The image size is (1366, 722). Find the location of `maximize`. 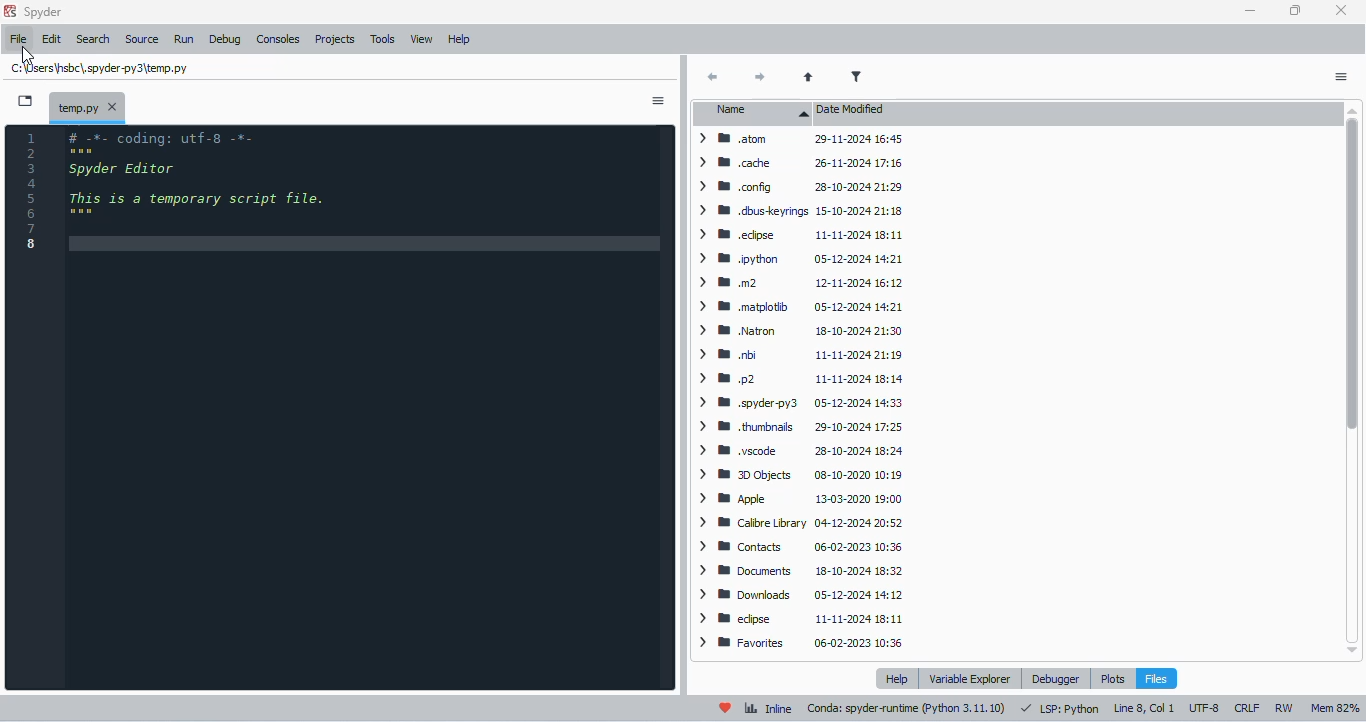

maximize is located at coordinates (1297, 10).